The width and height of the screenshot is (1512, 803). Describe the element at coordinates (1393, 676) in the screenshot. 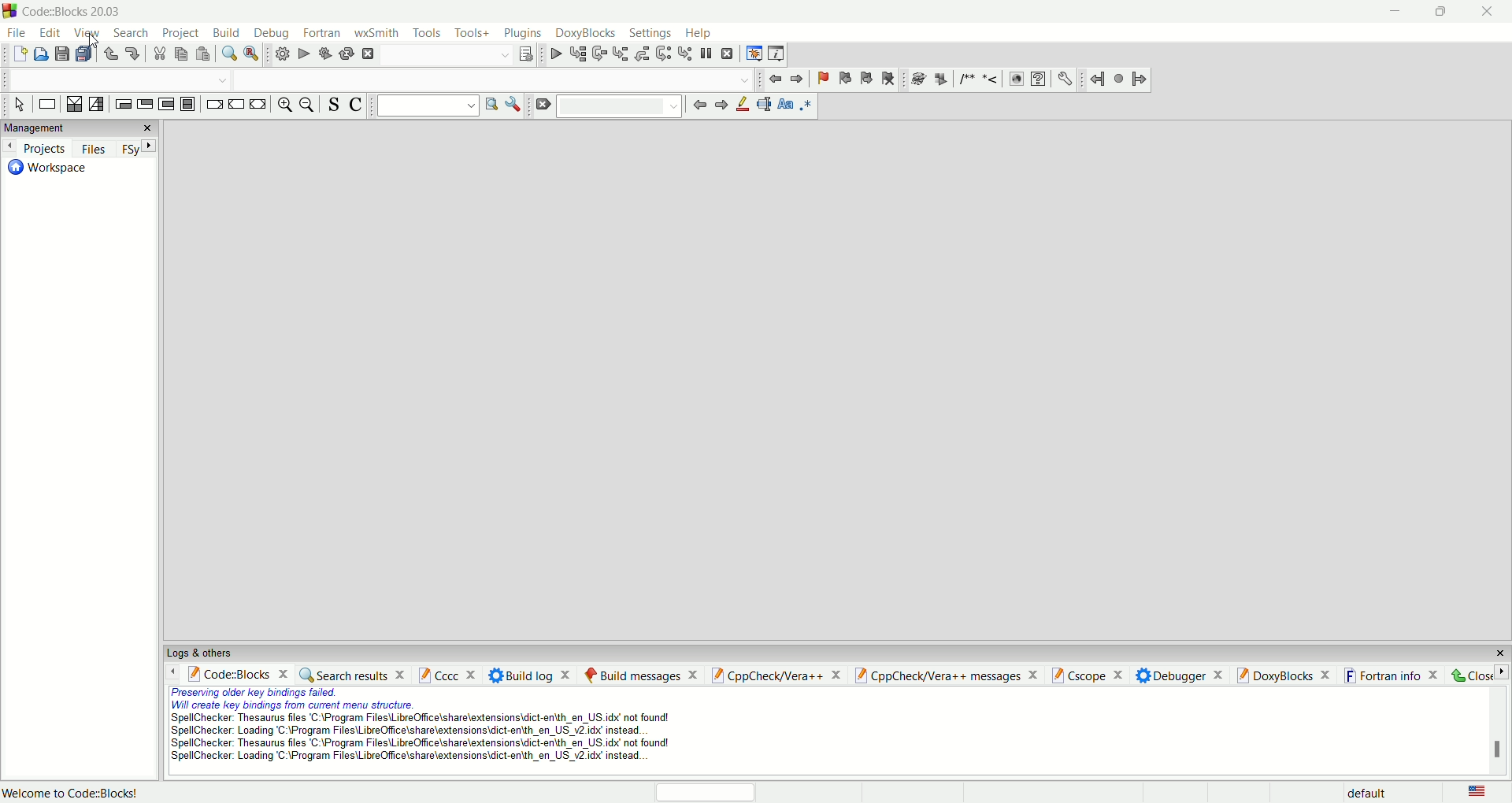

I see `forton info` at that location.